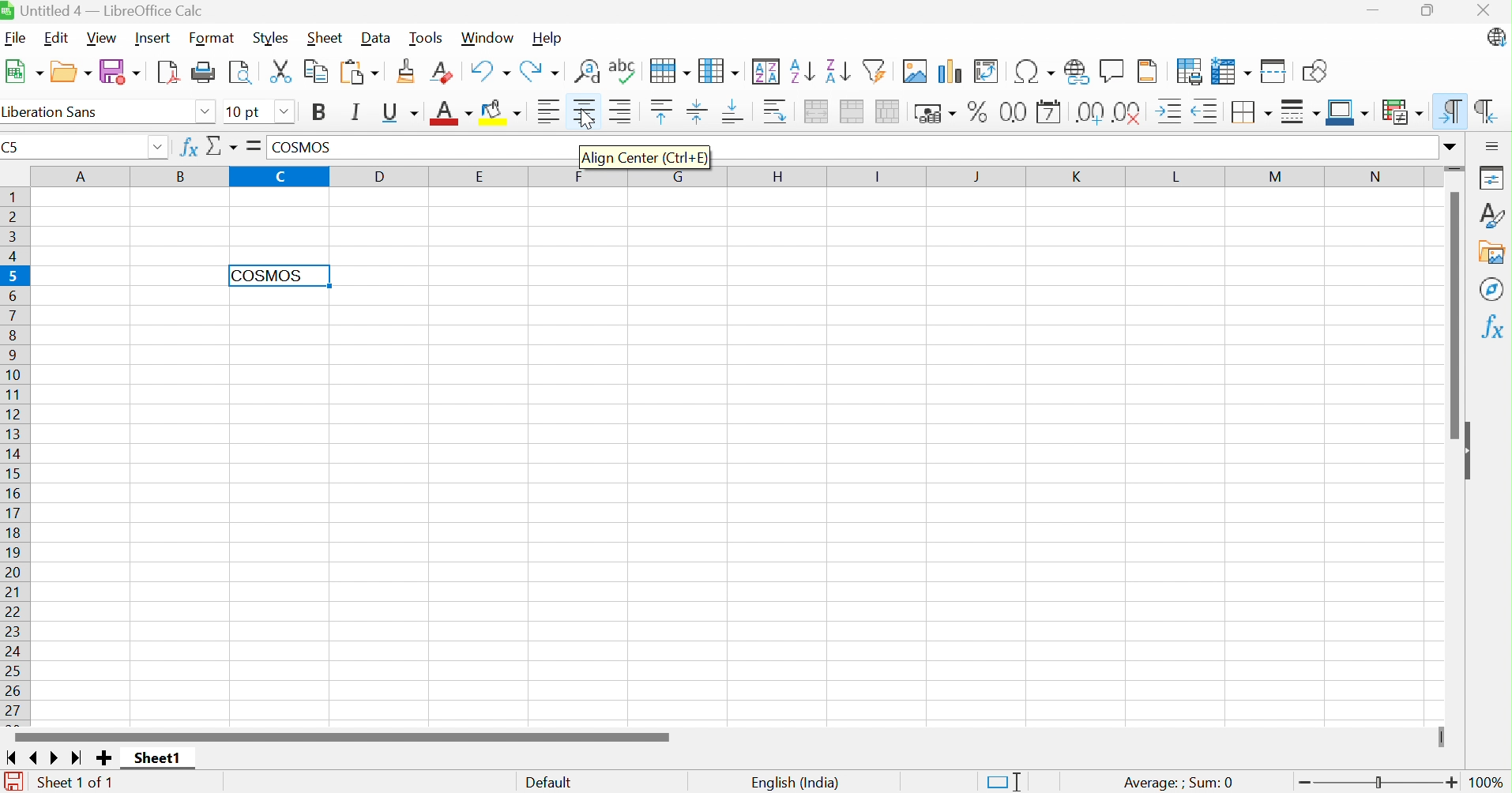 This screenshot has height=793, width=1512. What do you see at coordinates (71, 73) in the screenshot?
I see `Open` at bounding box center [71, 73].